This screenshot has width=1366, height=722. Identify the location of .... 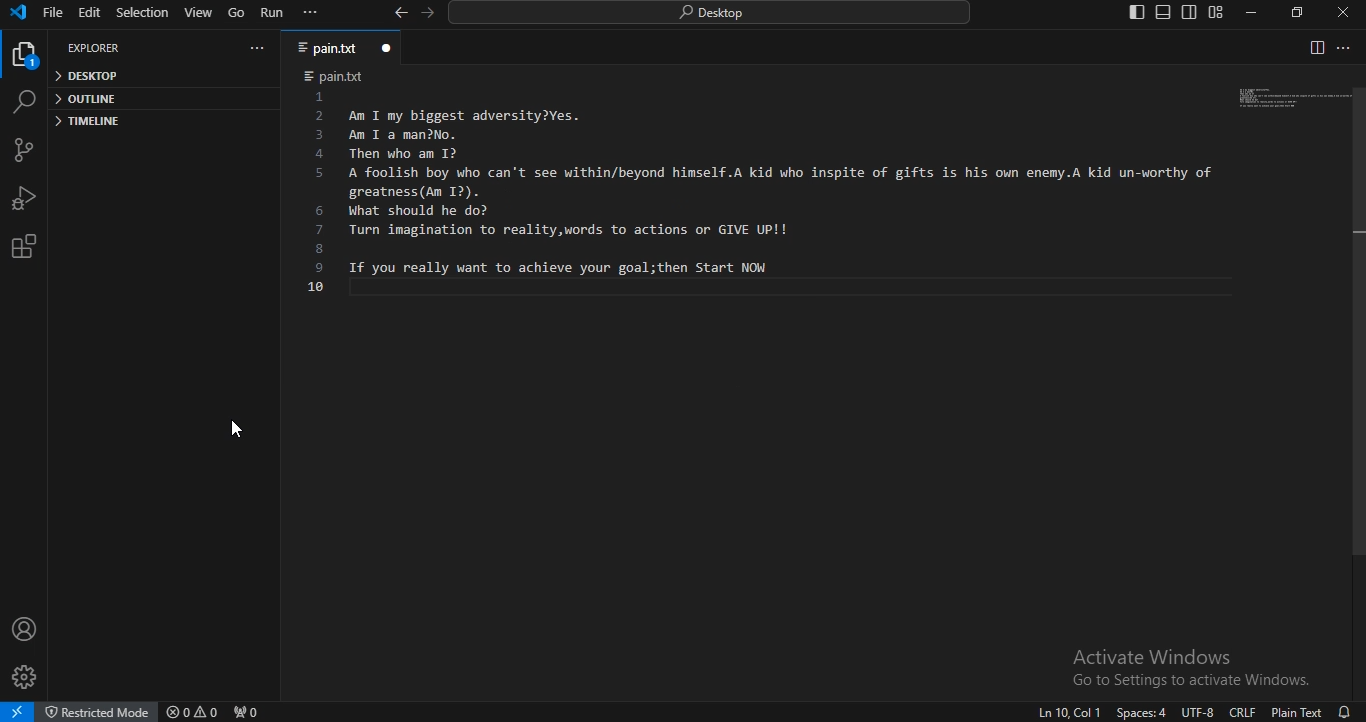
(310, 12).